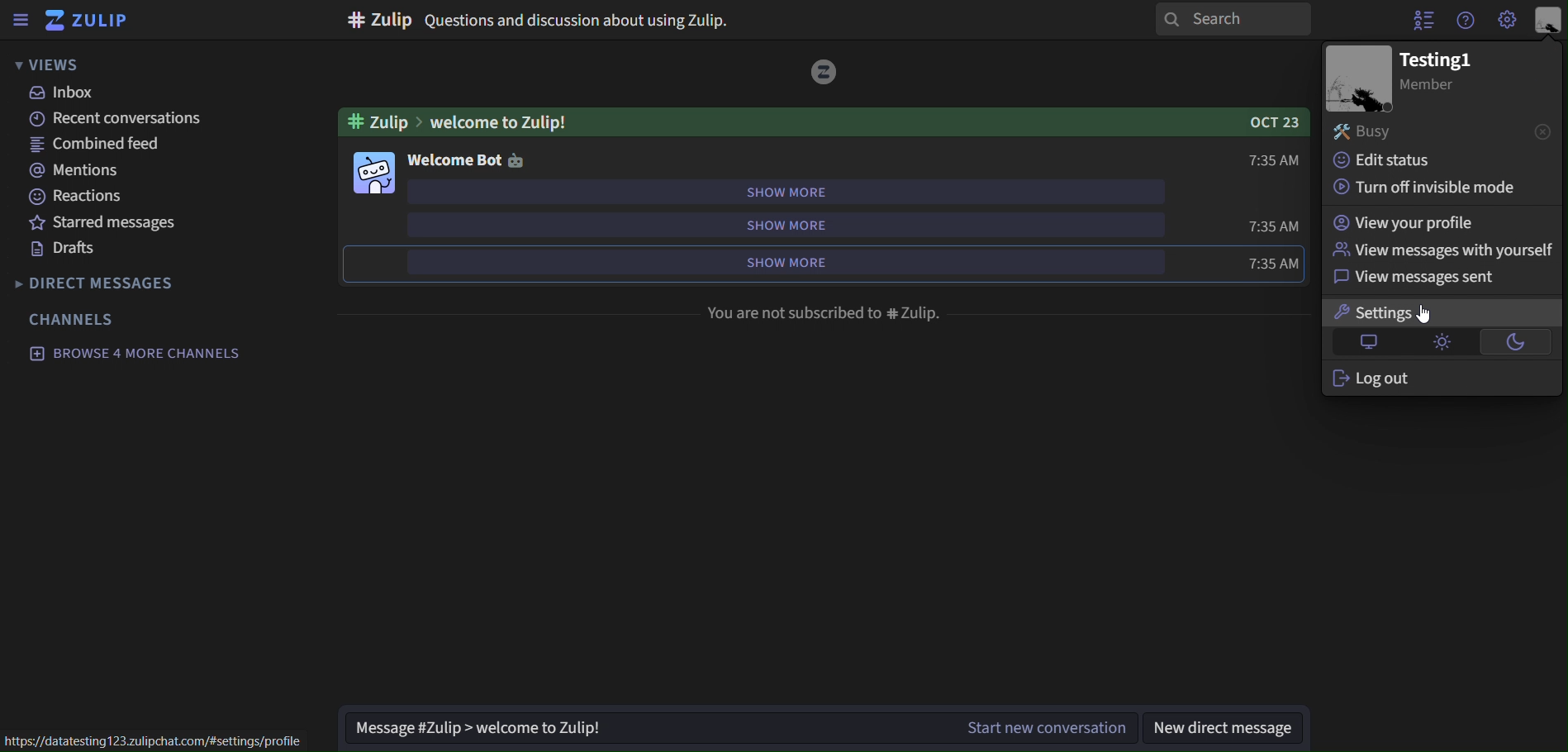 The image size is (1568, 752). Describe the element at coordinates (1433, 189) in the screenshot. I see `turn off invisible mode` at that location.